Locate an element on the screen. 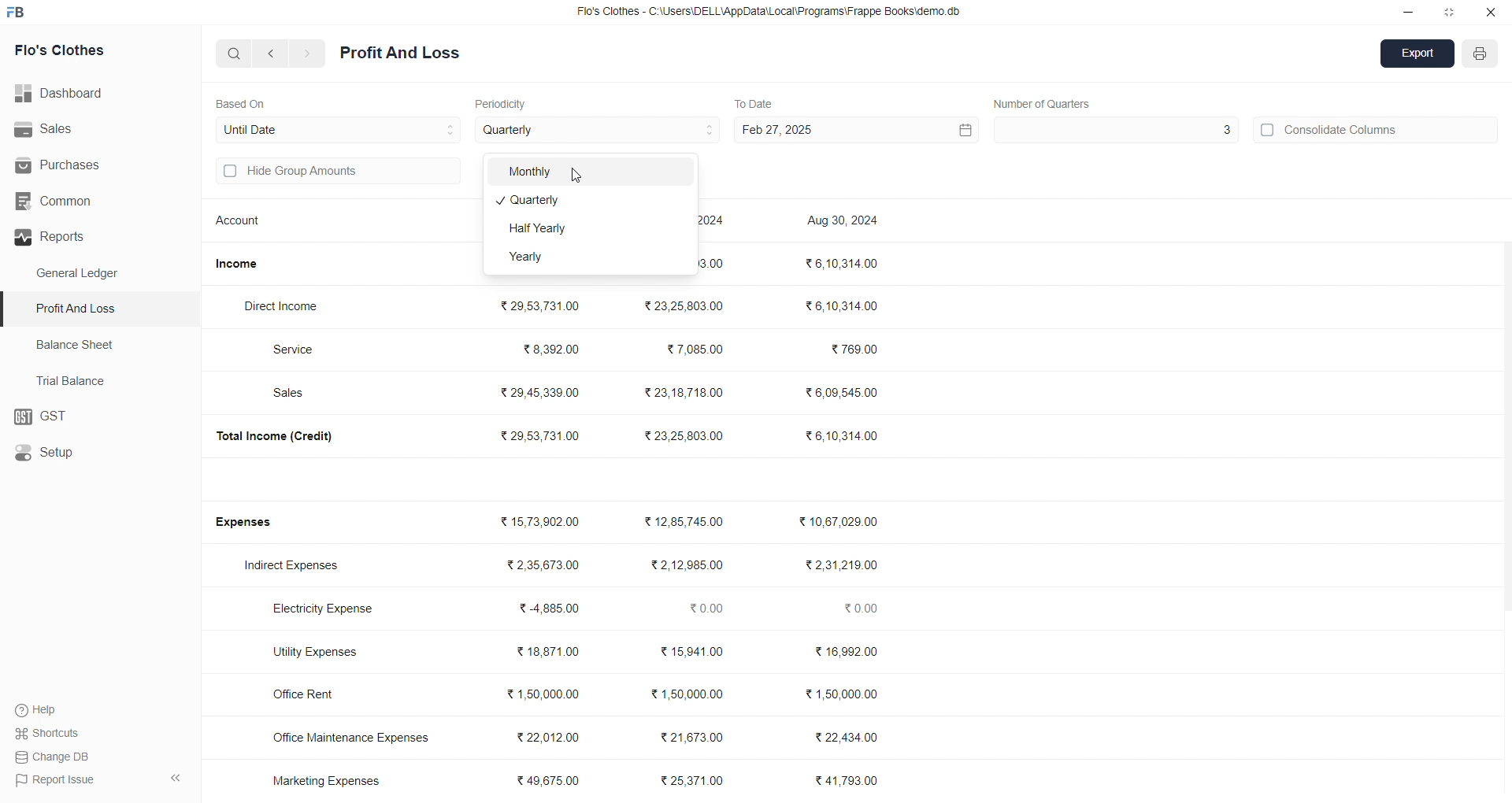  Quarterly is located at coordinates (590, 202).